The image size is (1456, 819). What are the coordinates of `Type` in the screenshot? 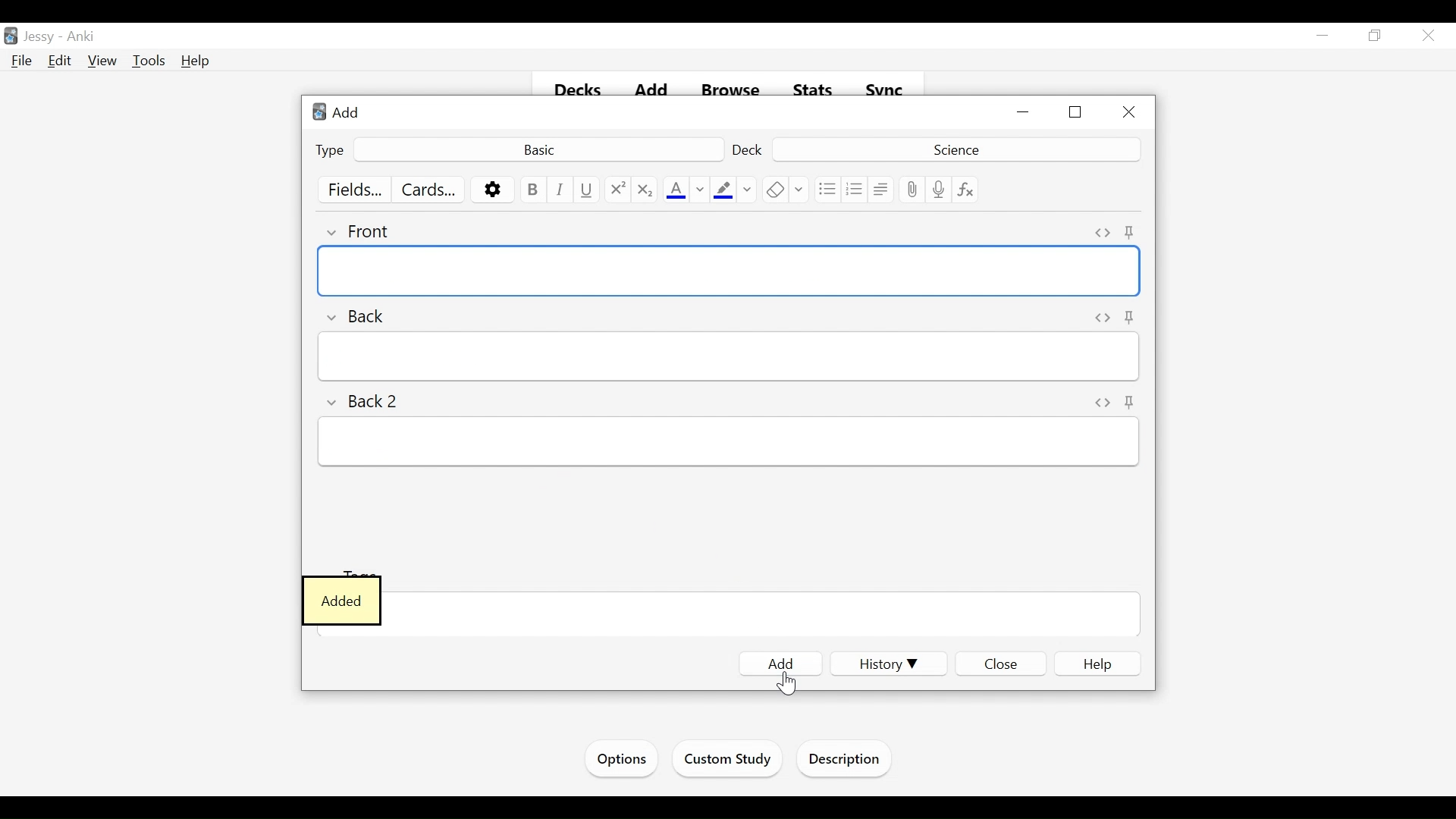 It's located at (331, 149).